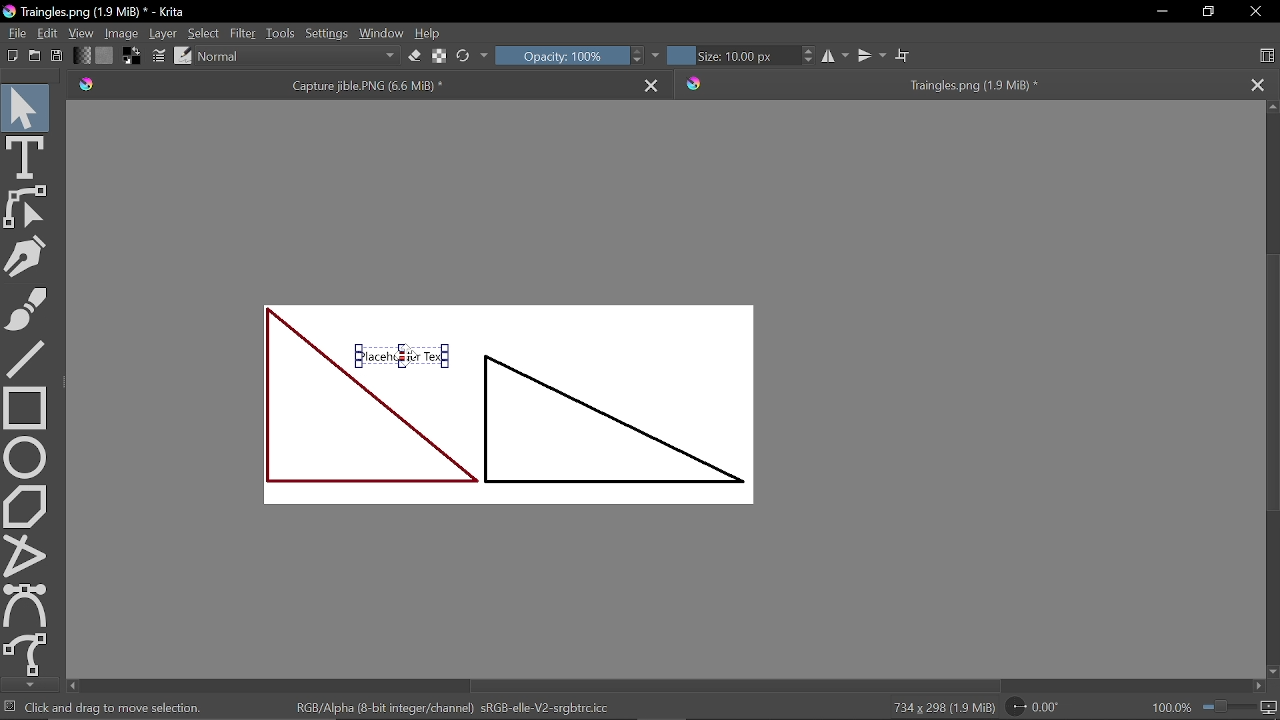 The image size is (1280, 720). I want to click on Save, so click(54, 57).